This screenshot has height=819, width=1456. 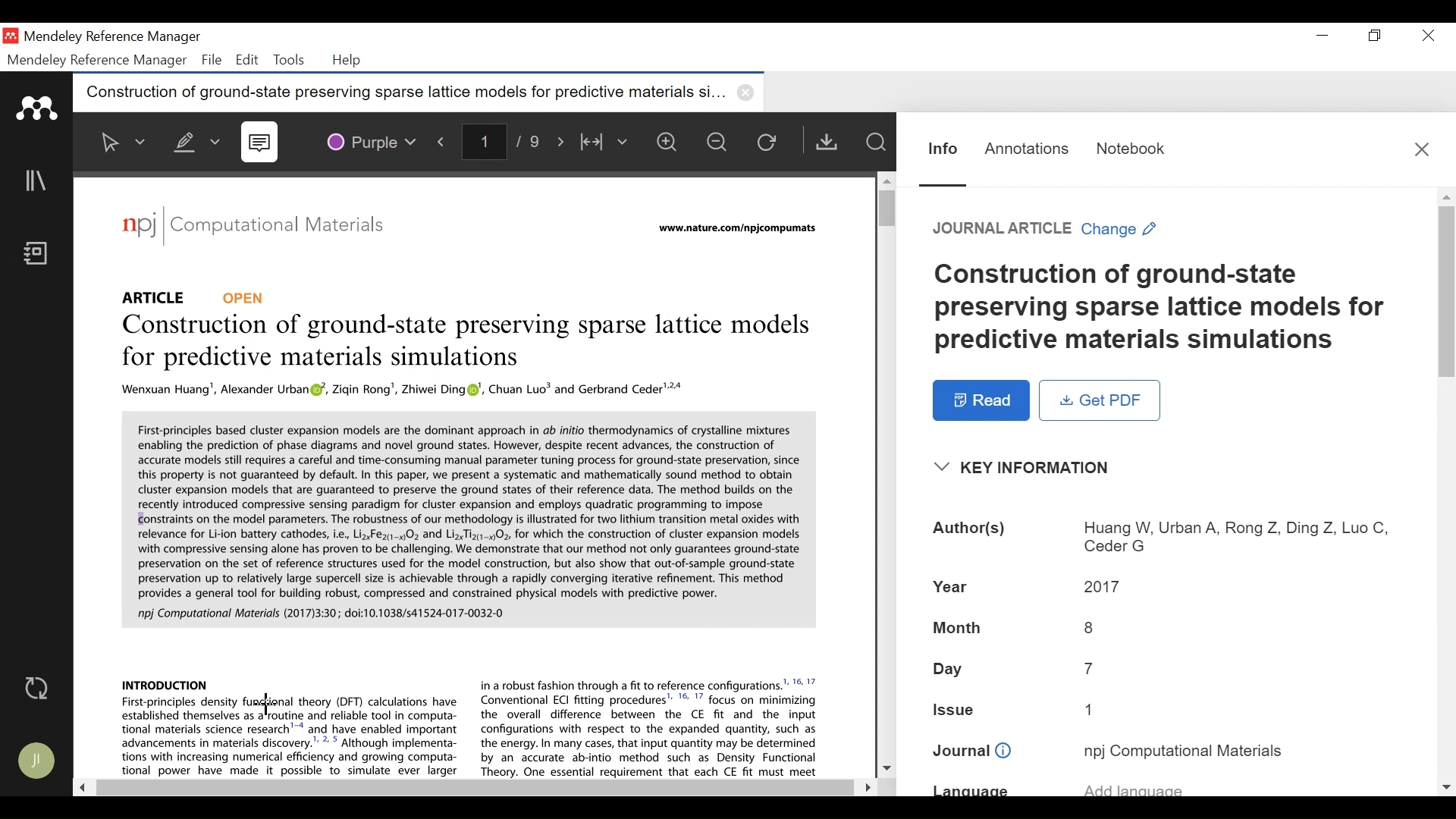 I want to click on Scroll down, so click(x=1447, y=788).